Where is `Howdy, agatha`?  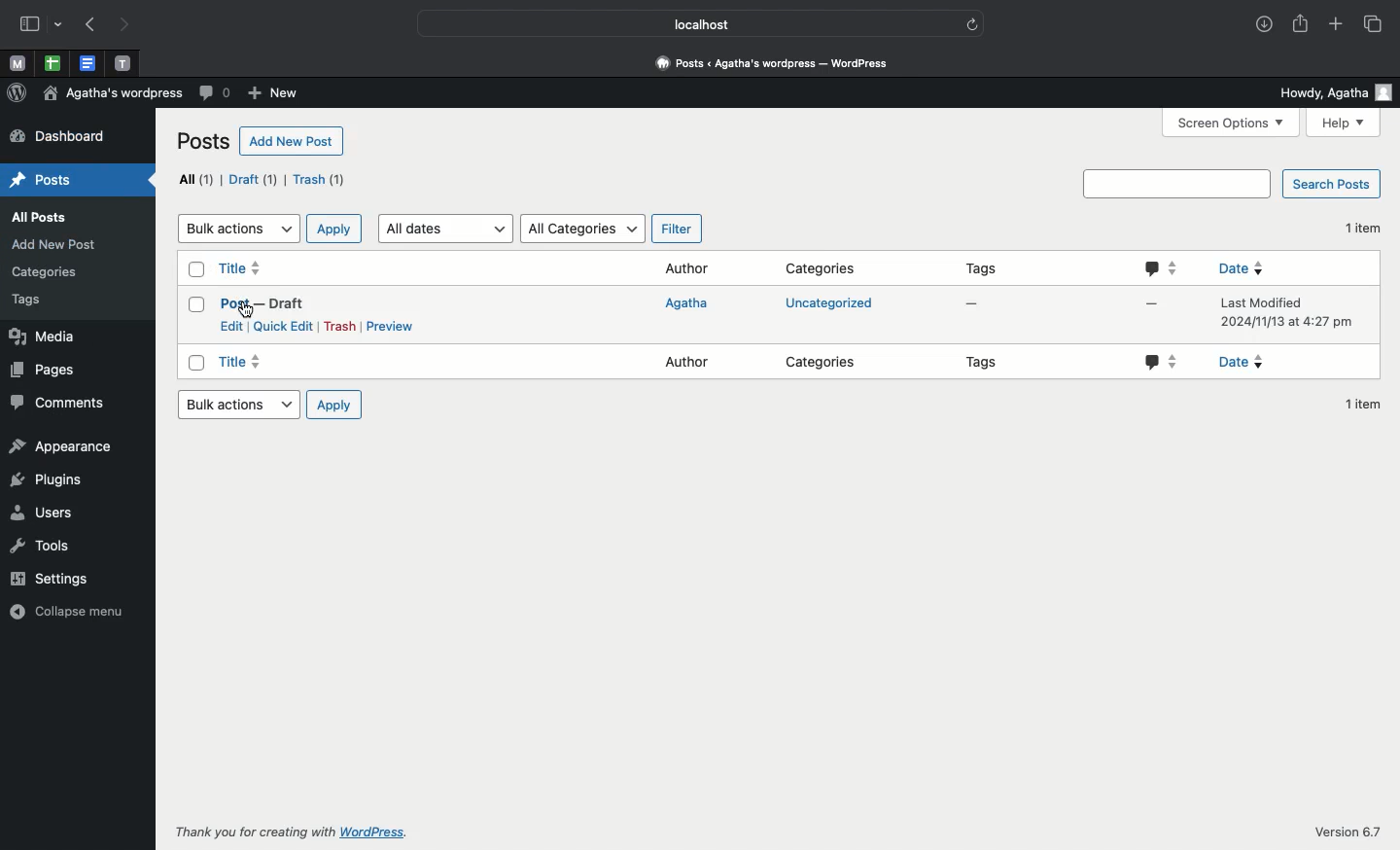 Howdy, agatha is located at coordinates (1334, 91).